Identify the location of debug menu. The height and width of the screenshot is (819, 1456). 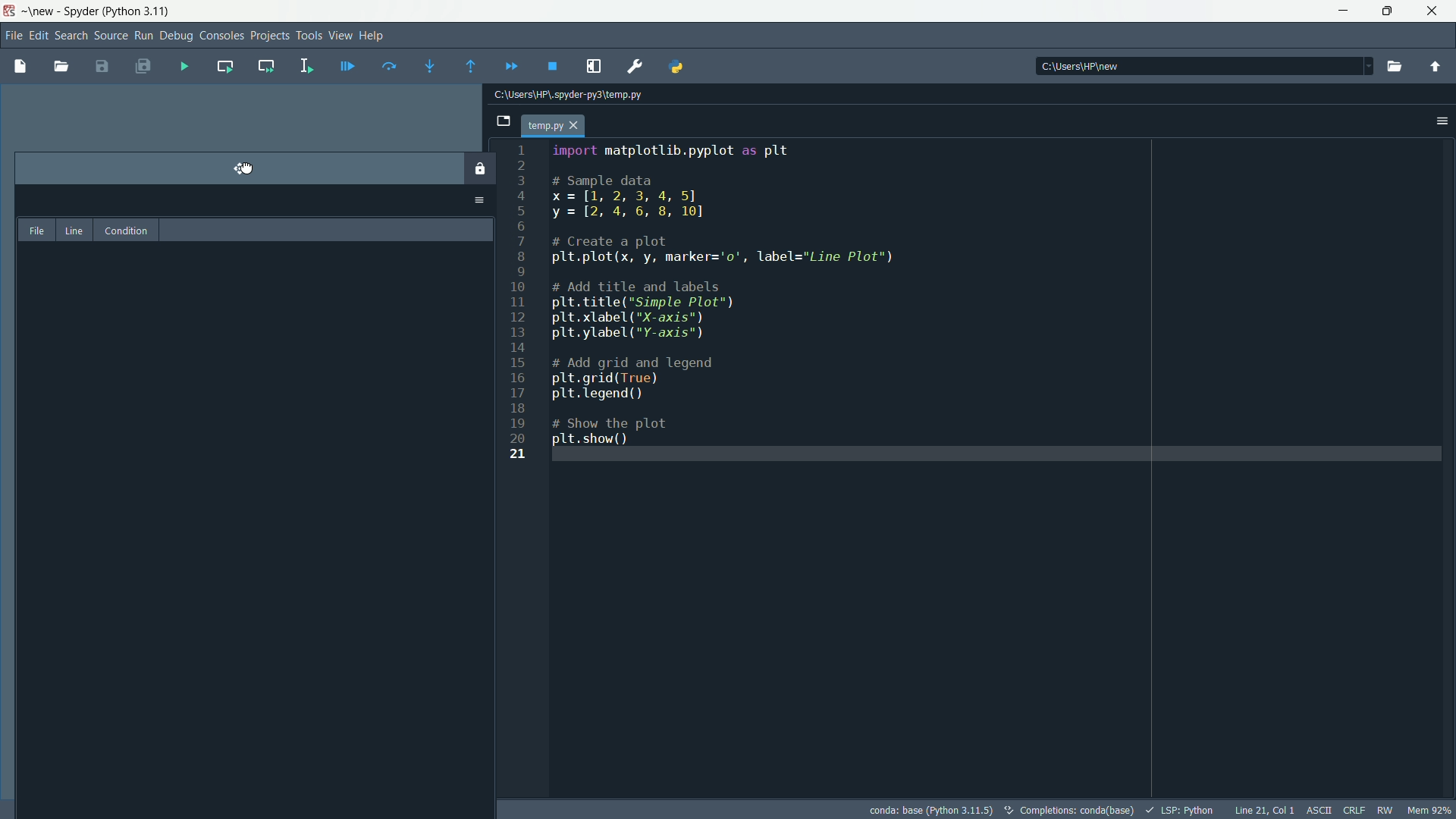
(177, 36).